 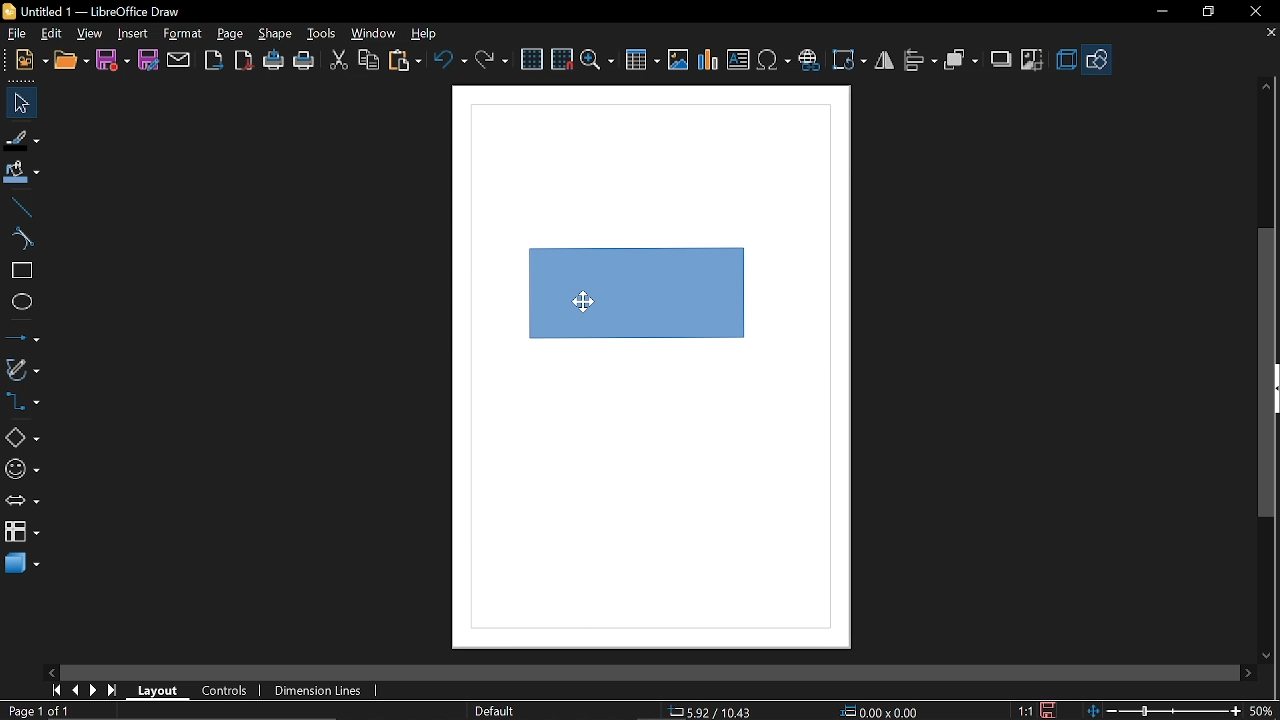 What do you see at coordinates (158, 691) in the screenshot?
I see `Layout` at bounding box center [158, 691].